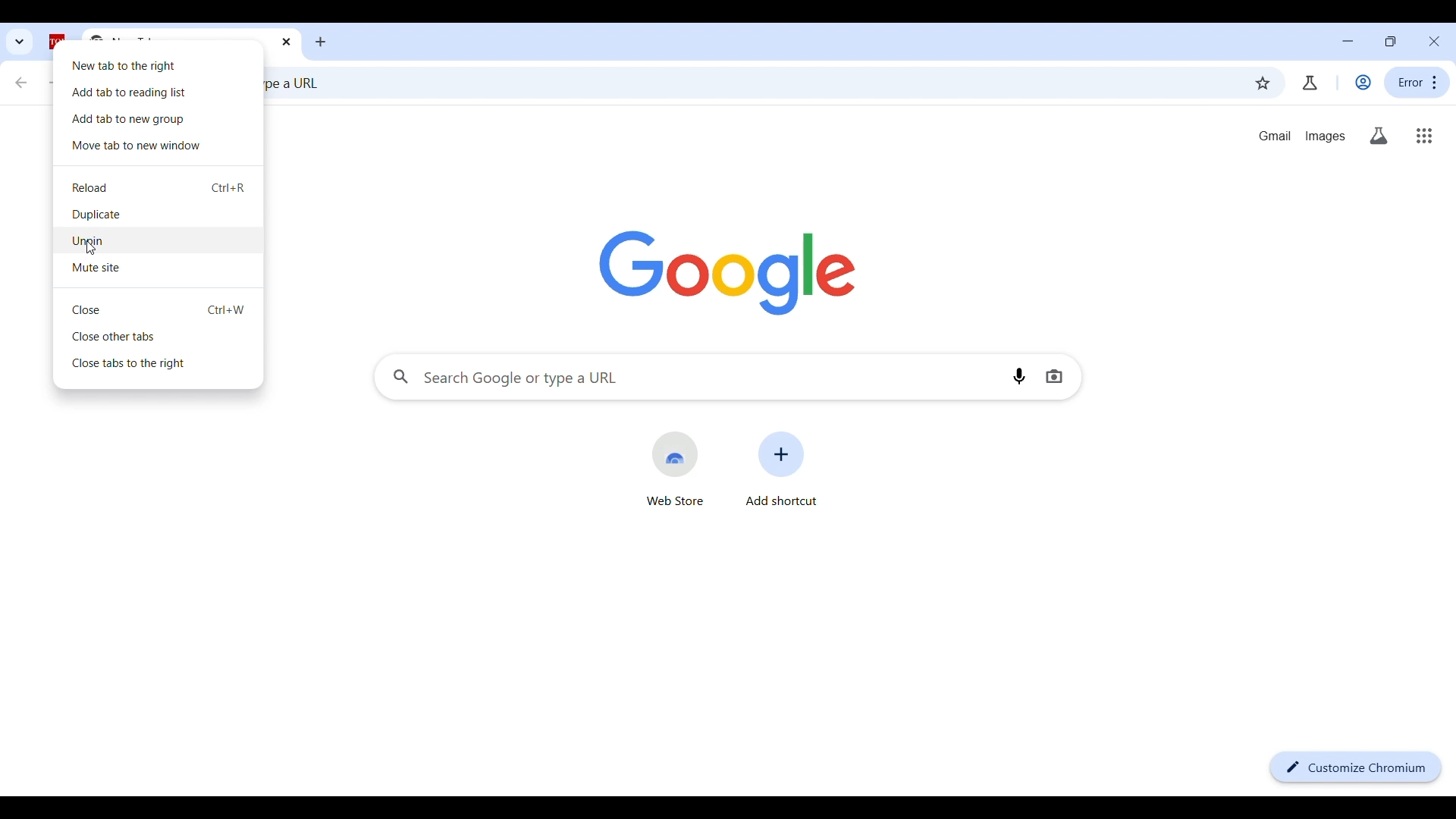  What do you see at coordinates (161, 309) in the screenshot?
I see `Close tab` at bounding box center [161, 309].